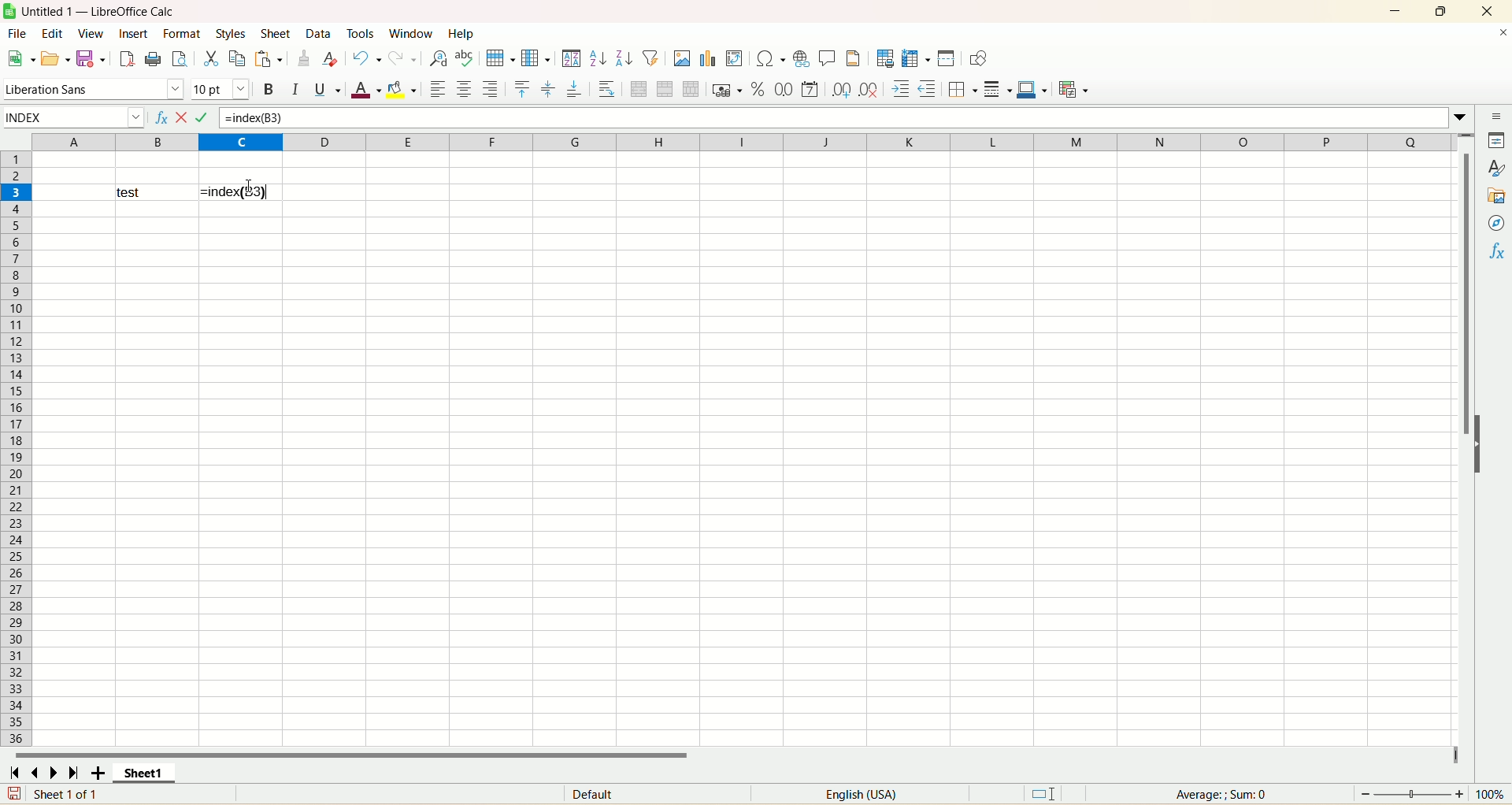  I want to click on unmerge, so click(691, 89).